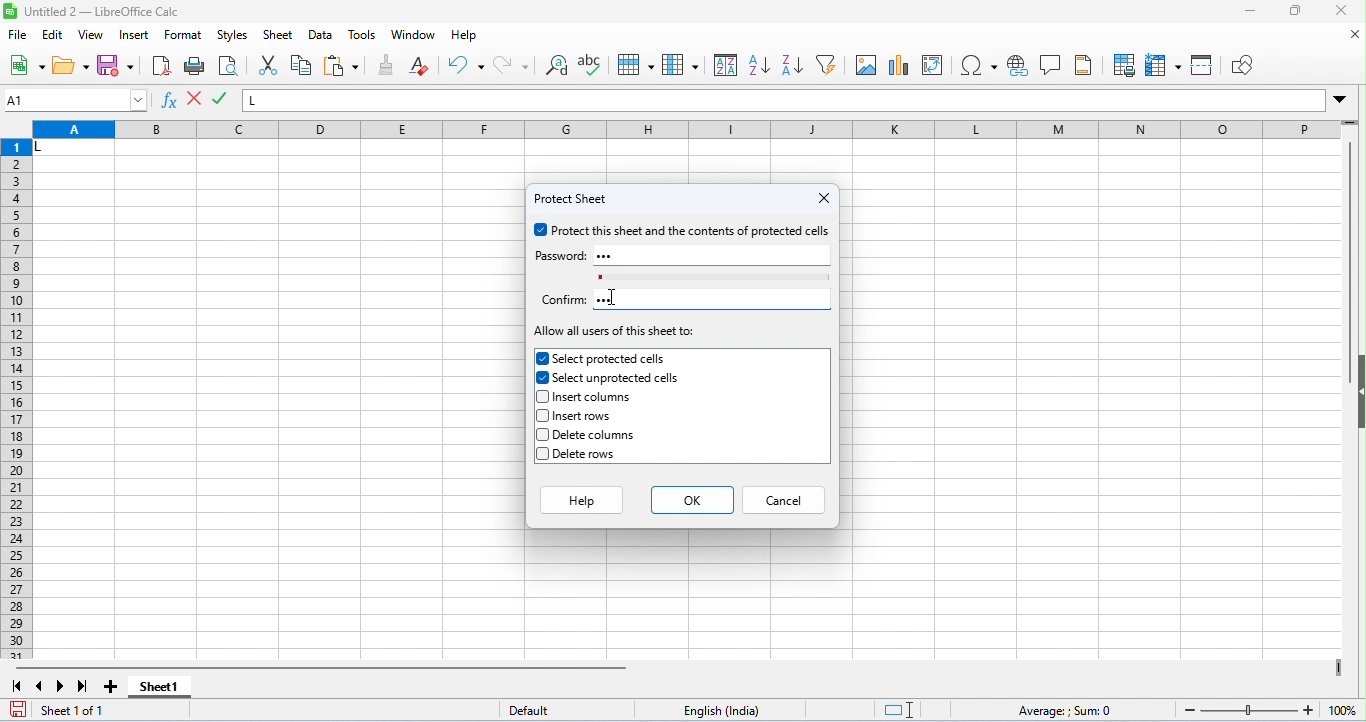 Image resolution: width=1366 pixels, height=722 pixels. I want to click on sort ascending, so click(759, 65).